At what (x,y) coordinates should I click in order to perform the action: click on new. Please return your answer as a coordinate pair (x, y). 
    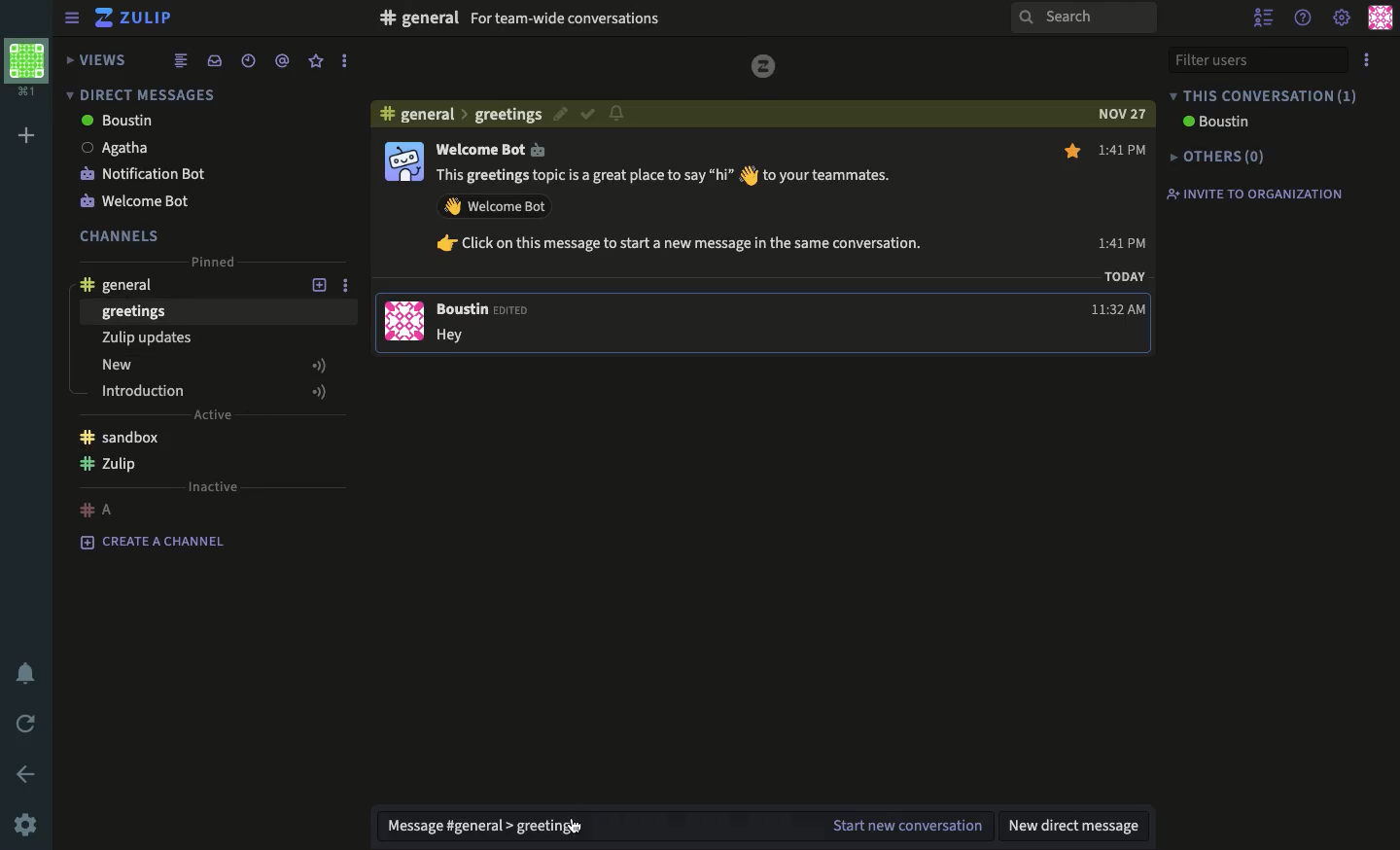
    Looking at the image, I should click on (213, 365).